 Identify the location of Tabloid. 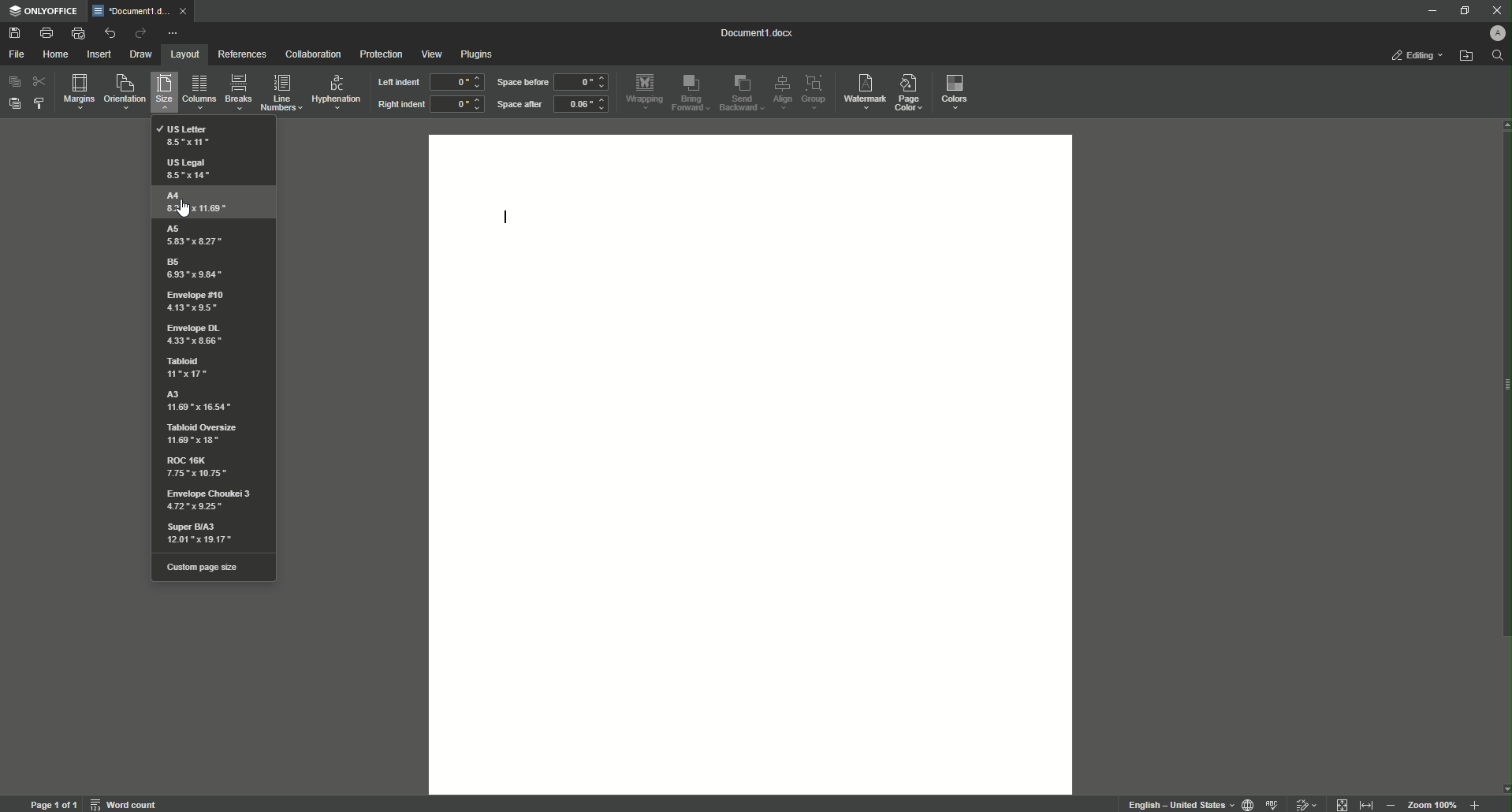
(187, 369).